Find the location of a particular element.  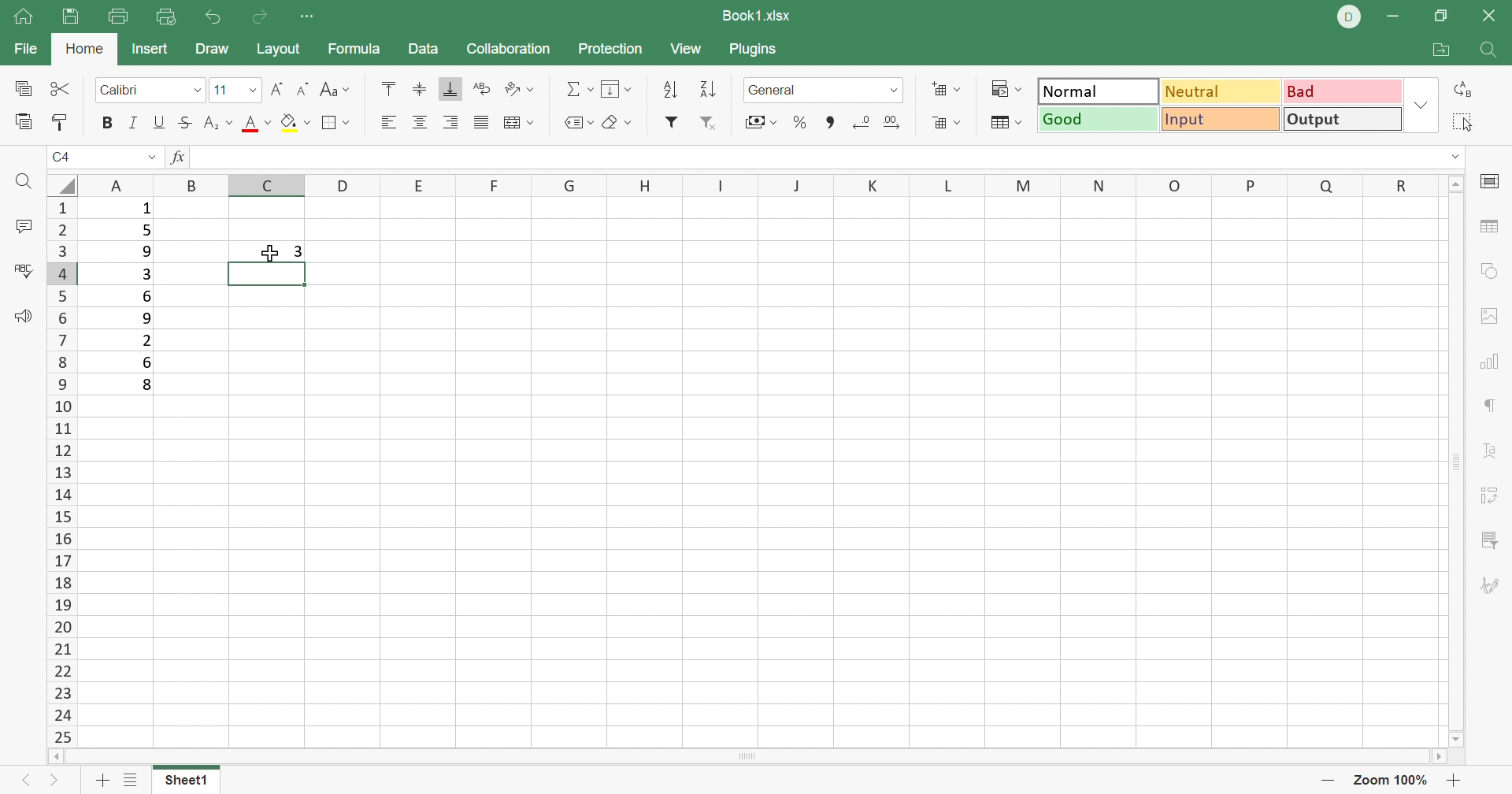

Paste is located at coordinates (23, 121).